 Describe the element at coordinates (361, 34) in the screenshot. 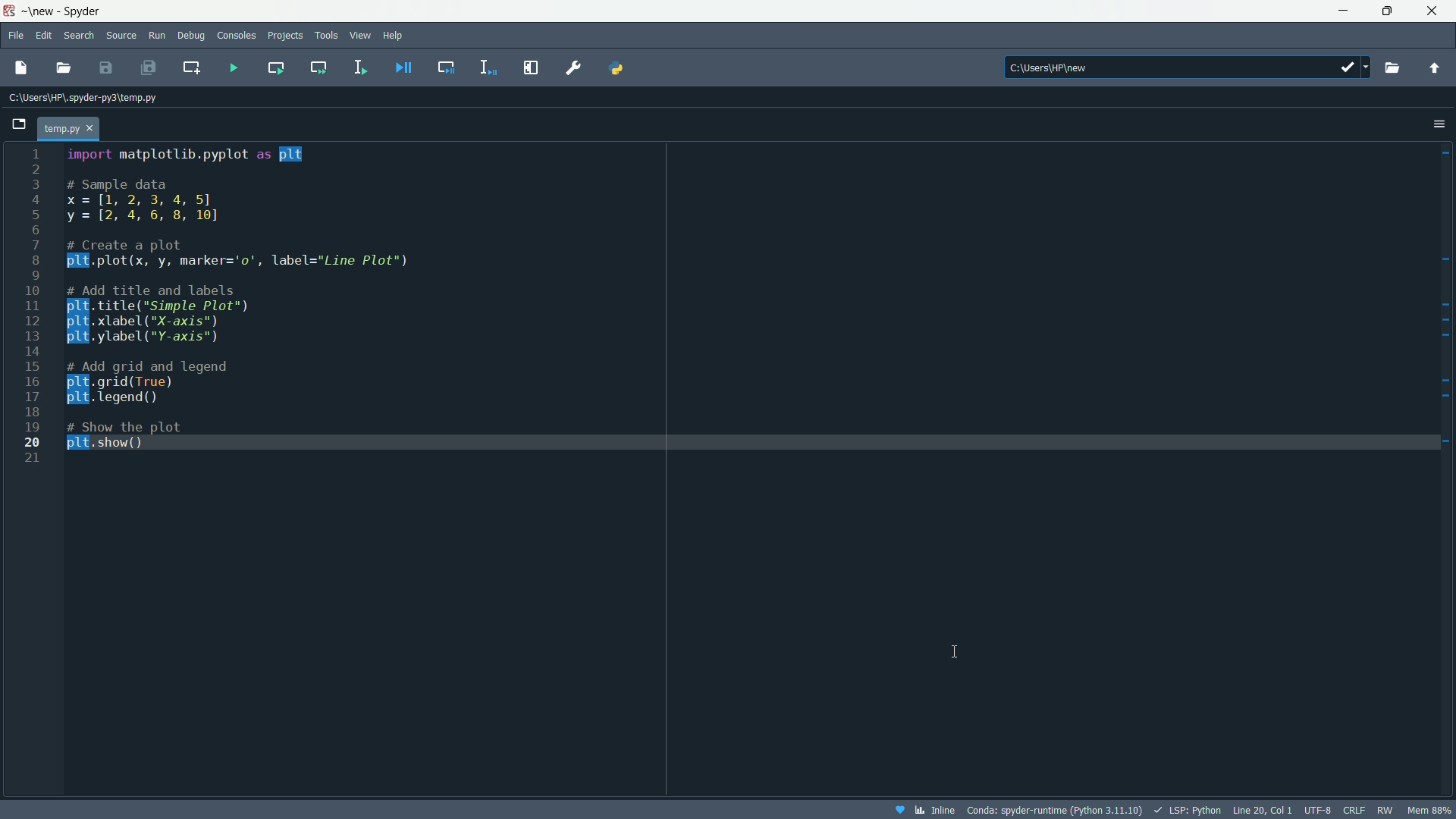

I see `view` at that location.